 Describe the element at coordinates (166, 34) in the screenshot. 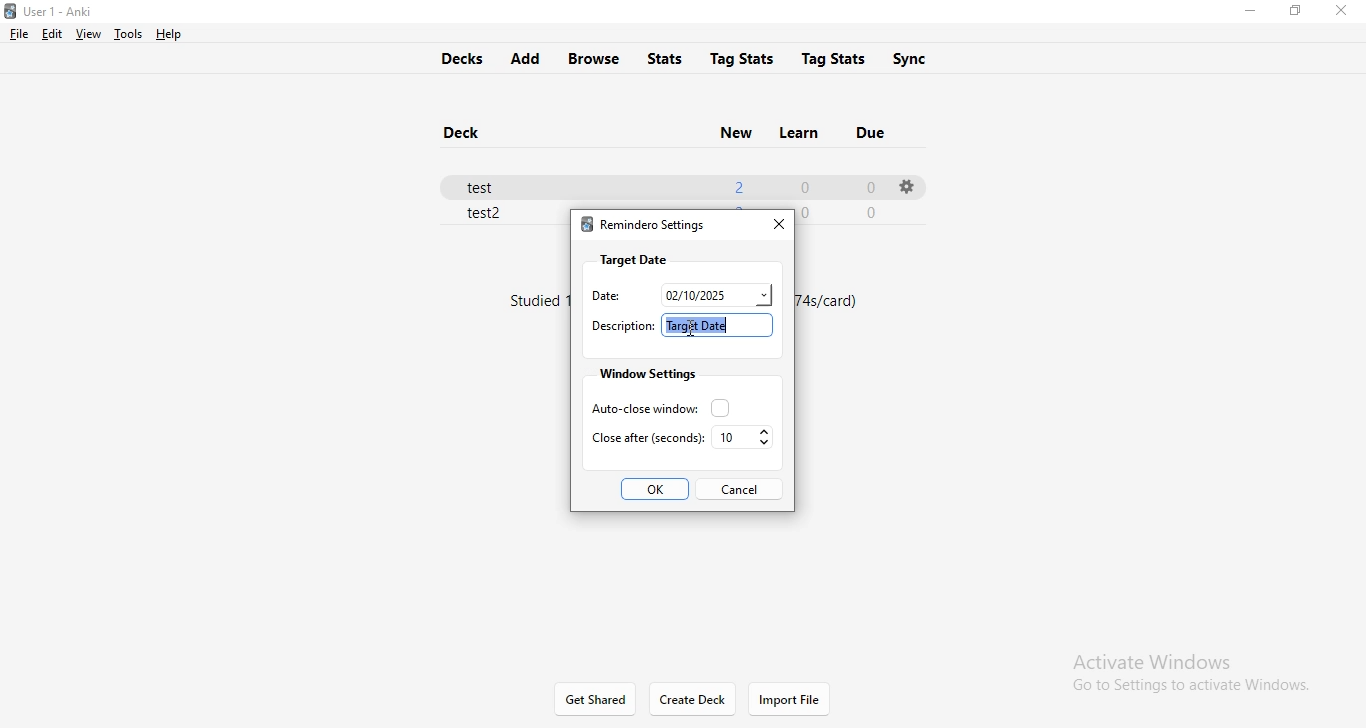

I see `help` at that location.